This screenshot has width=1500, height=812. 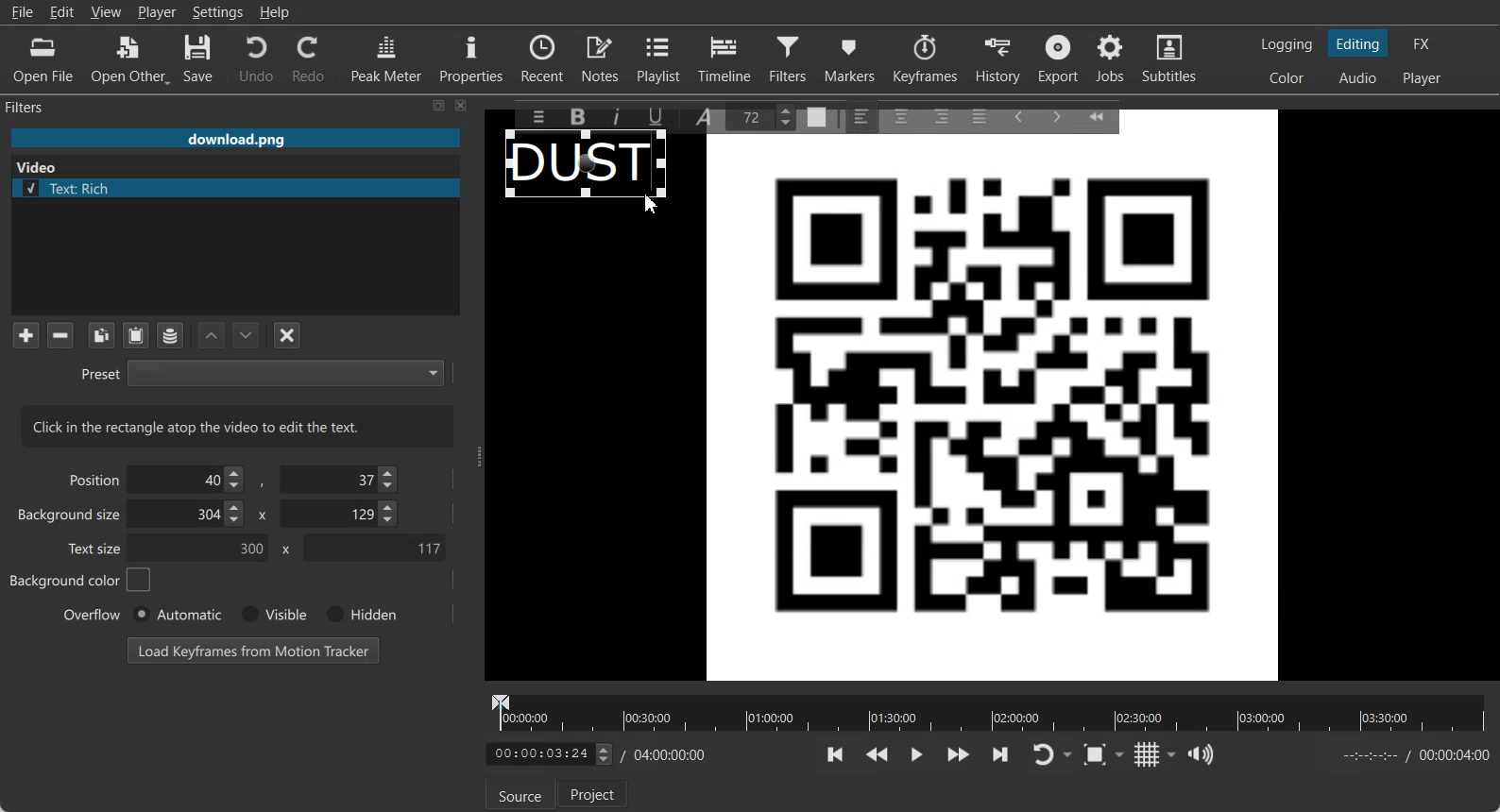 What do you see at coordinates (651, 204) in the screenshot?
I see `Cursor` at bounding box center [651, 204].